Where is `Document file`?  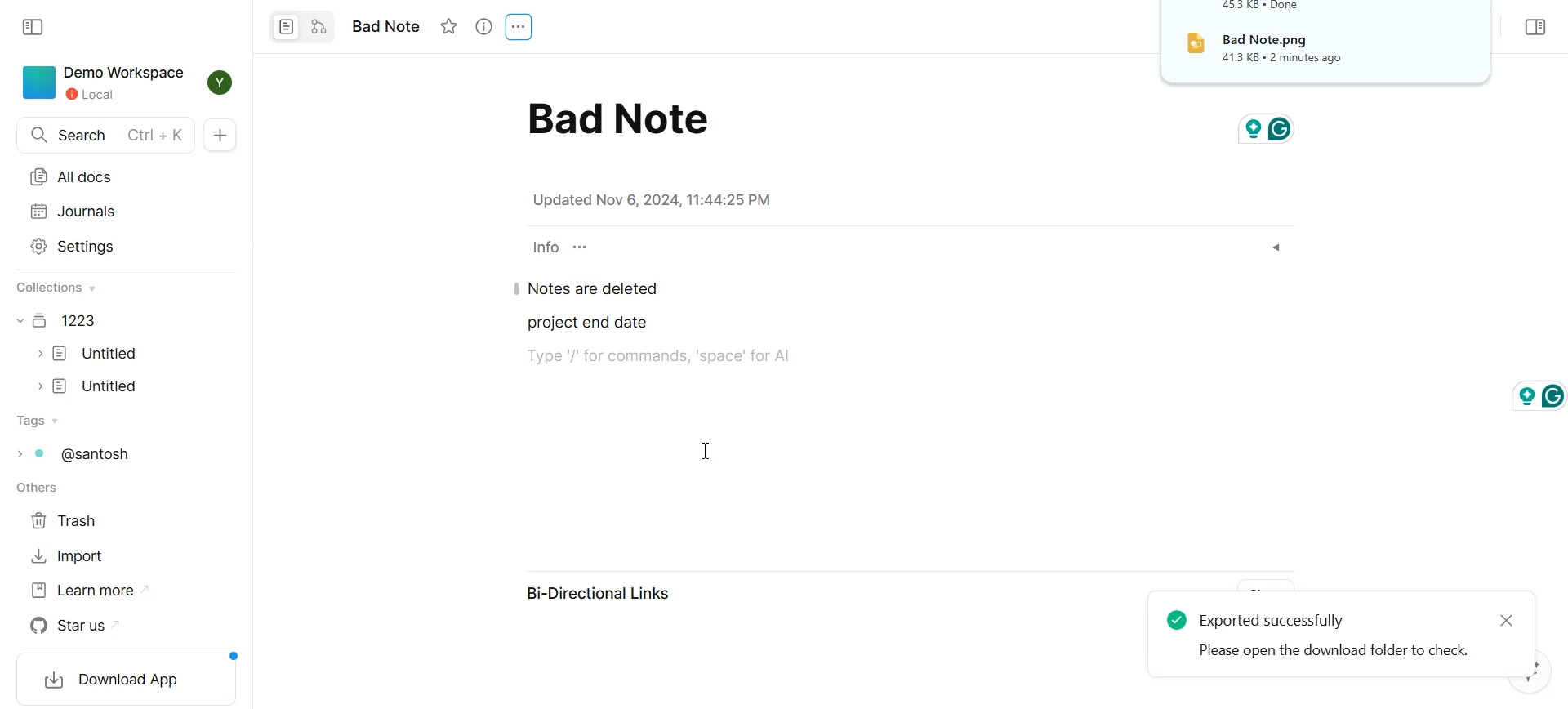 Document file is located at coordinates (89, 386).